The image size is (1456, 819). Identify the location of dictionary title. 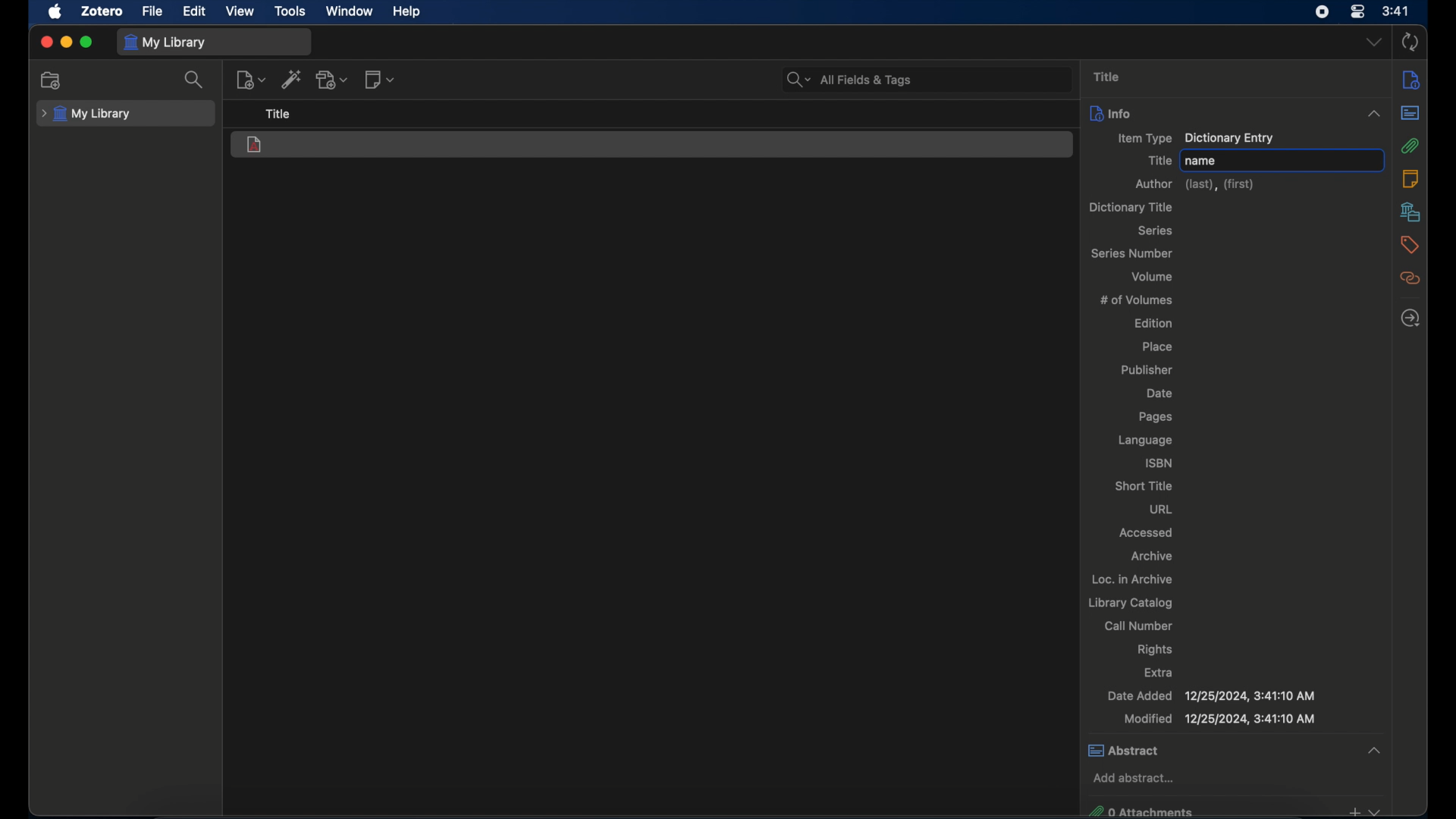
(1130, 207).